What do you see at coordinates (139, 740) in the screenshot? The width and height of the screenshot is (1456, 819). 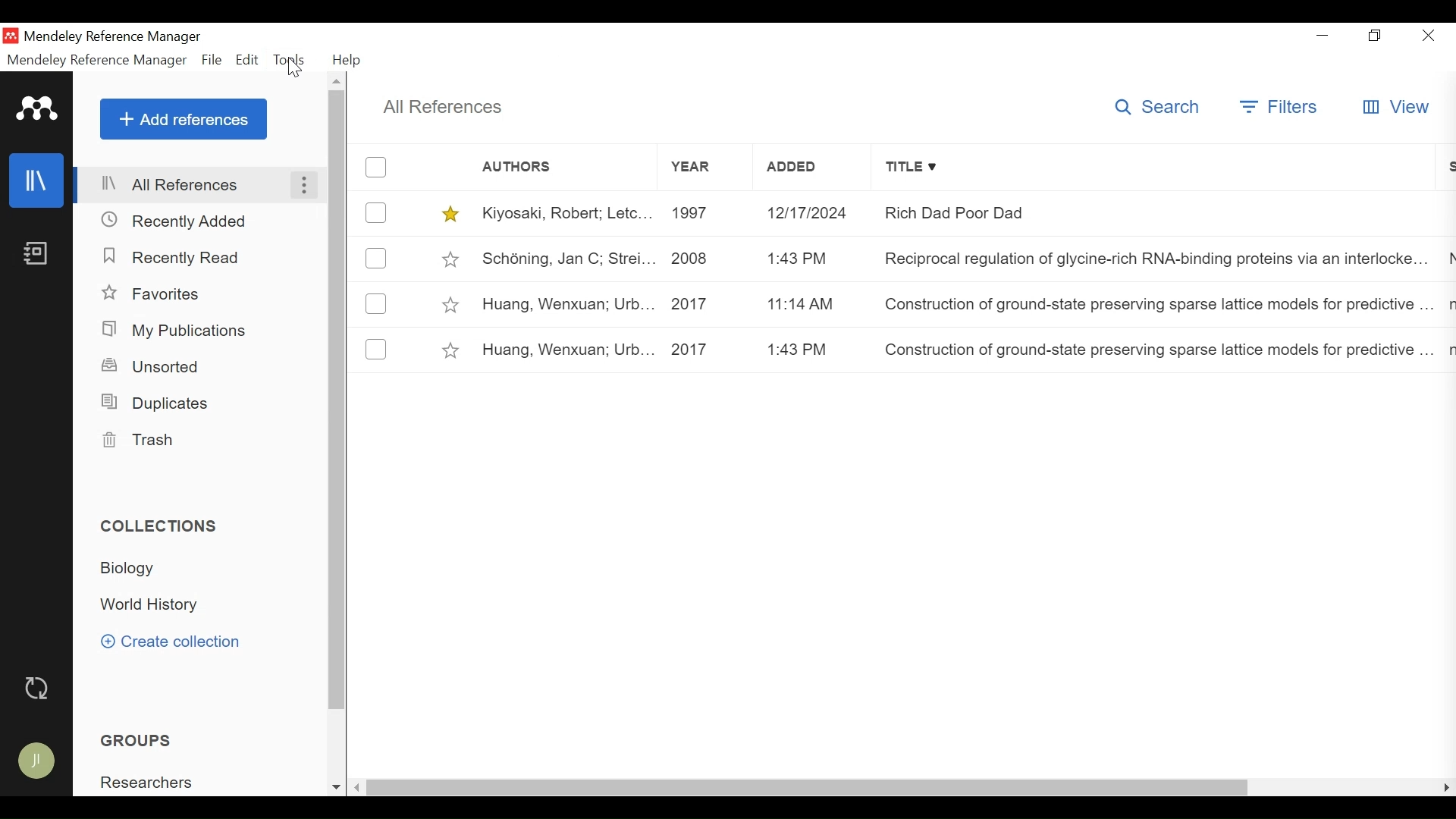 I see `Groups` at bounding box center [139, 740].